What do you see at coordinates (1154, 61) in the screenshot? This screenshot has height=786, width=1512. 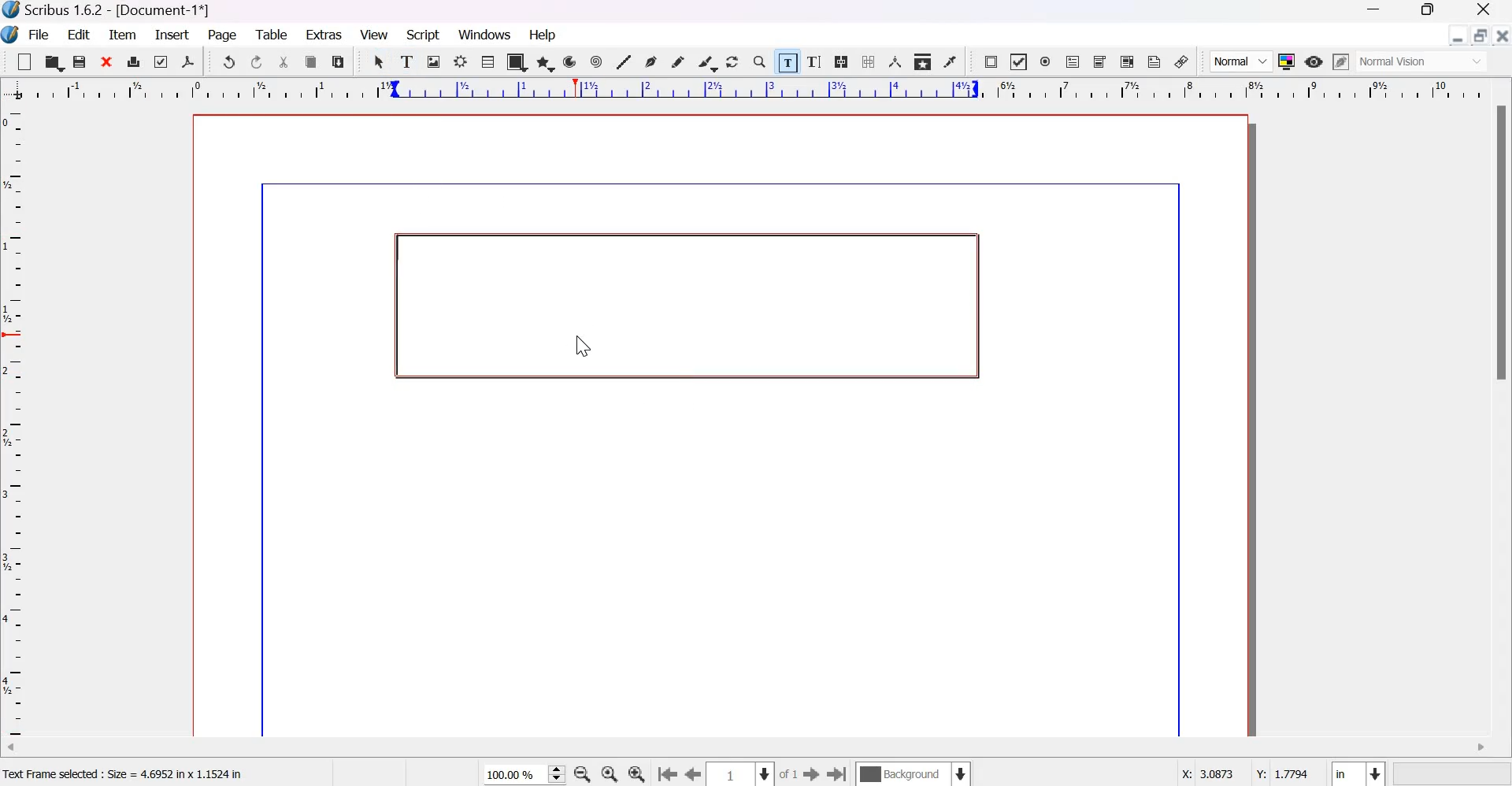 I see `Text Annotation` at bounding box center [1154, 61].